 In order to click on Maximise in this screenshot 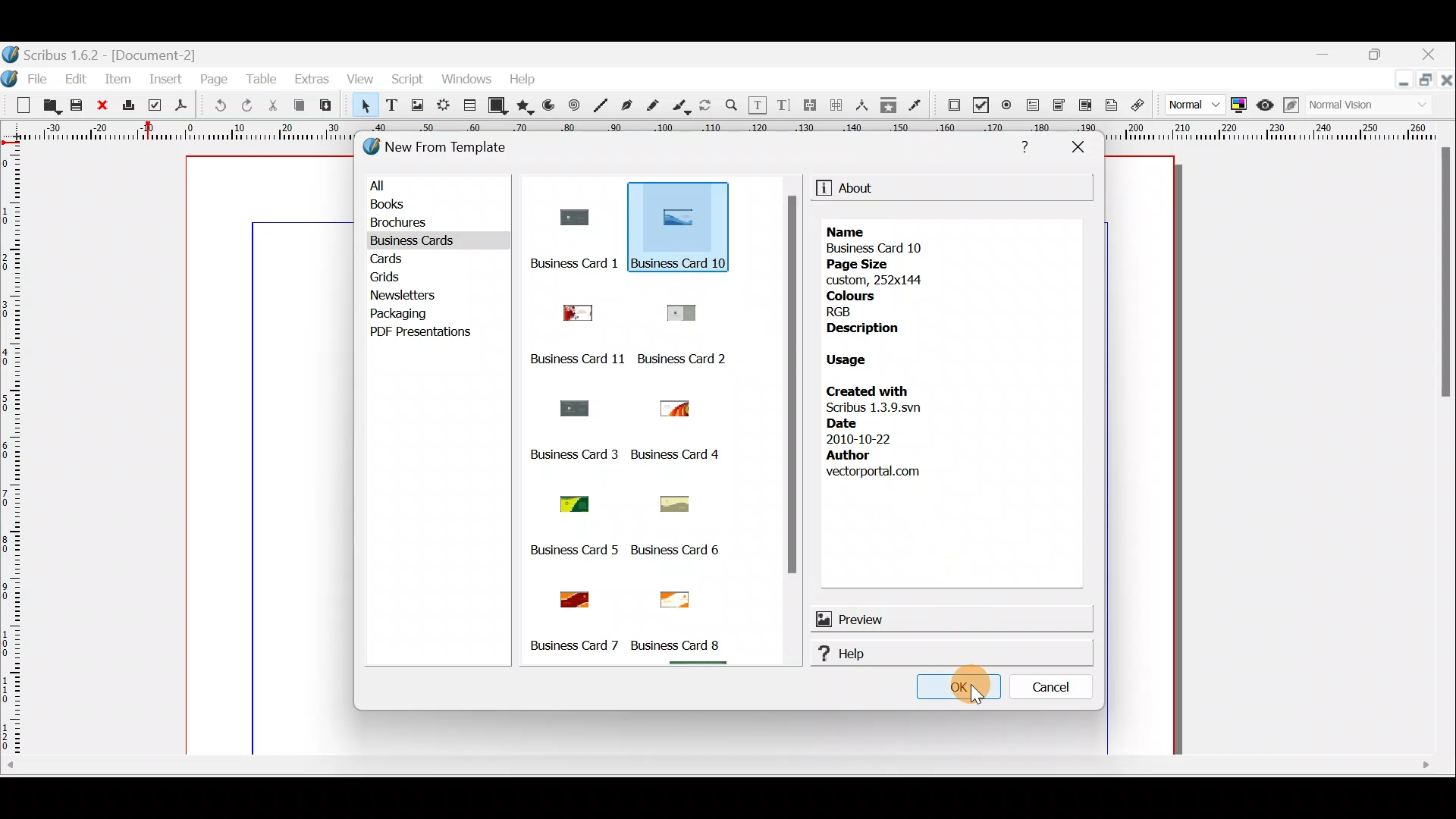, I will do `click(1426, 81)`.